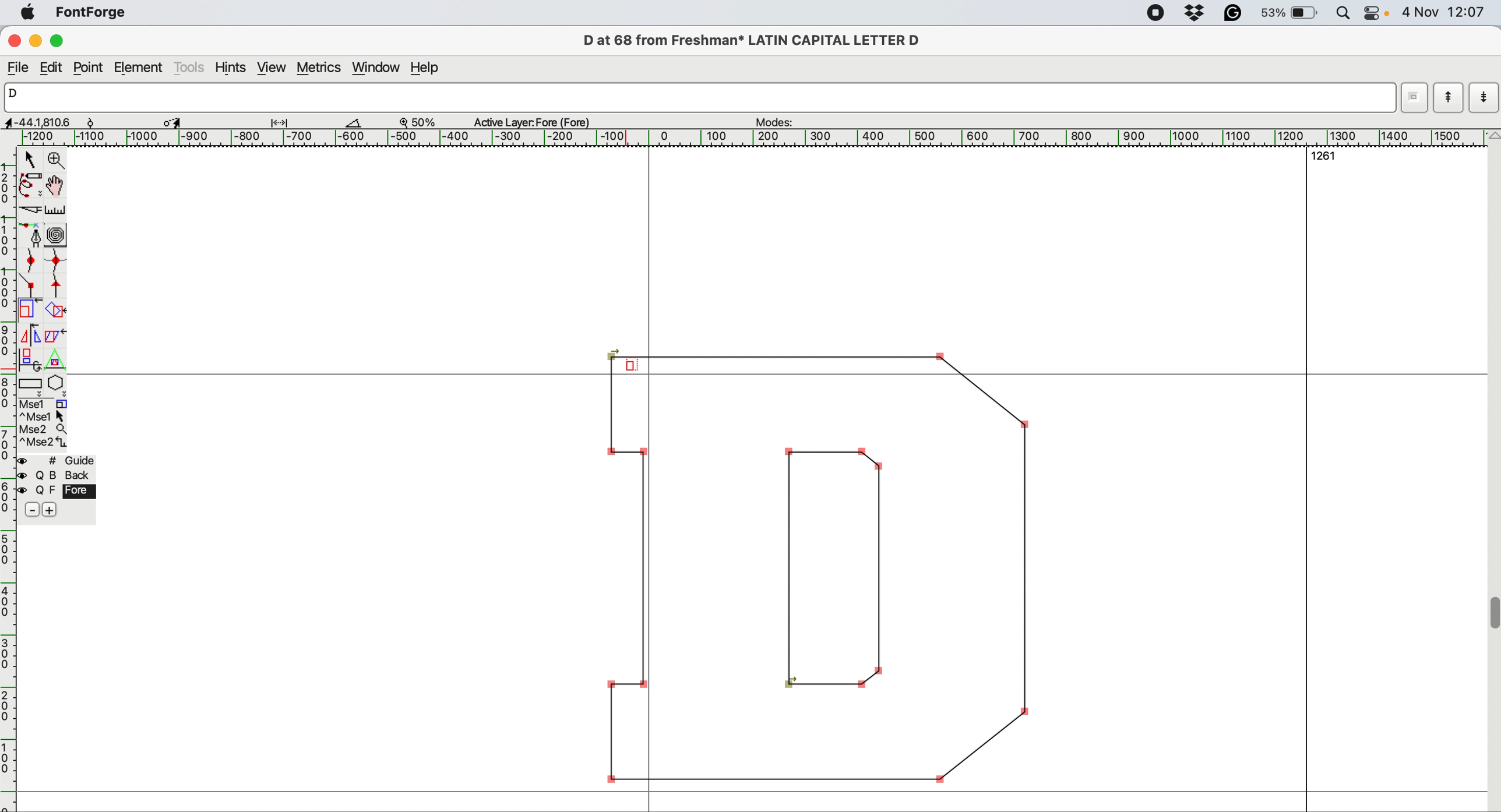 This screenshot has width=1501, height=812. Describe the element at coordinates (190, 68) in the screenshot. I see `tools` at that location.